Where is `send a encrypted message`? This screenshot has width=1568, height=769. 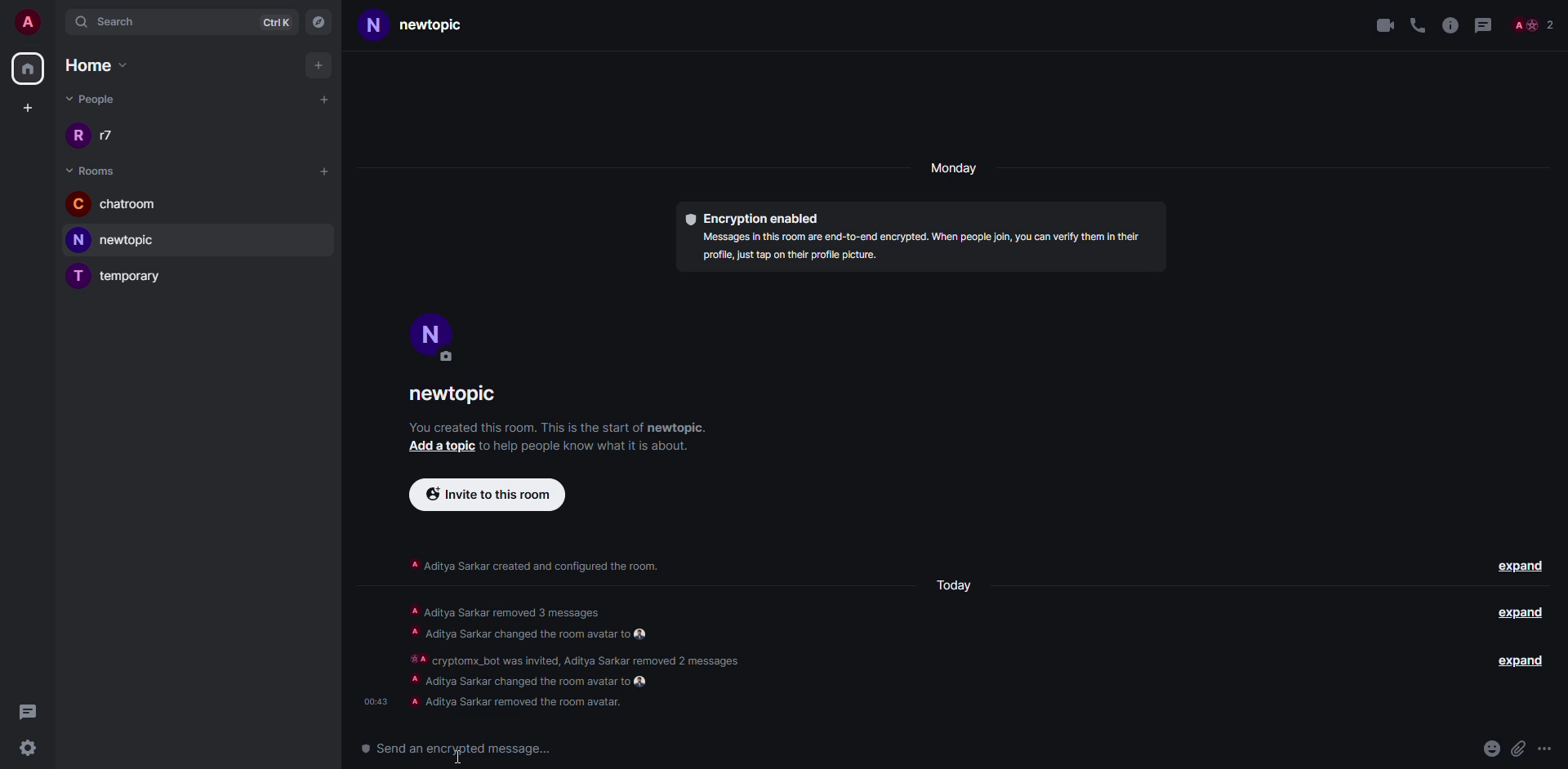 send a encrypted message is located at coordinates (467, 749).